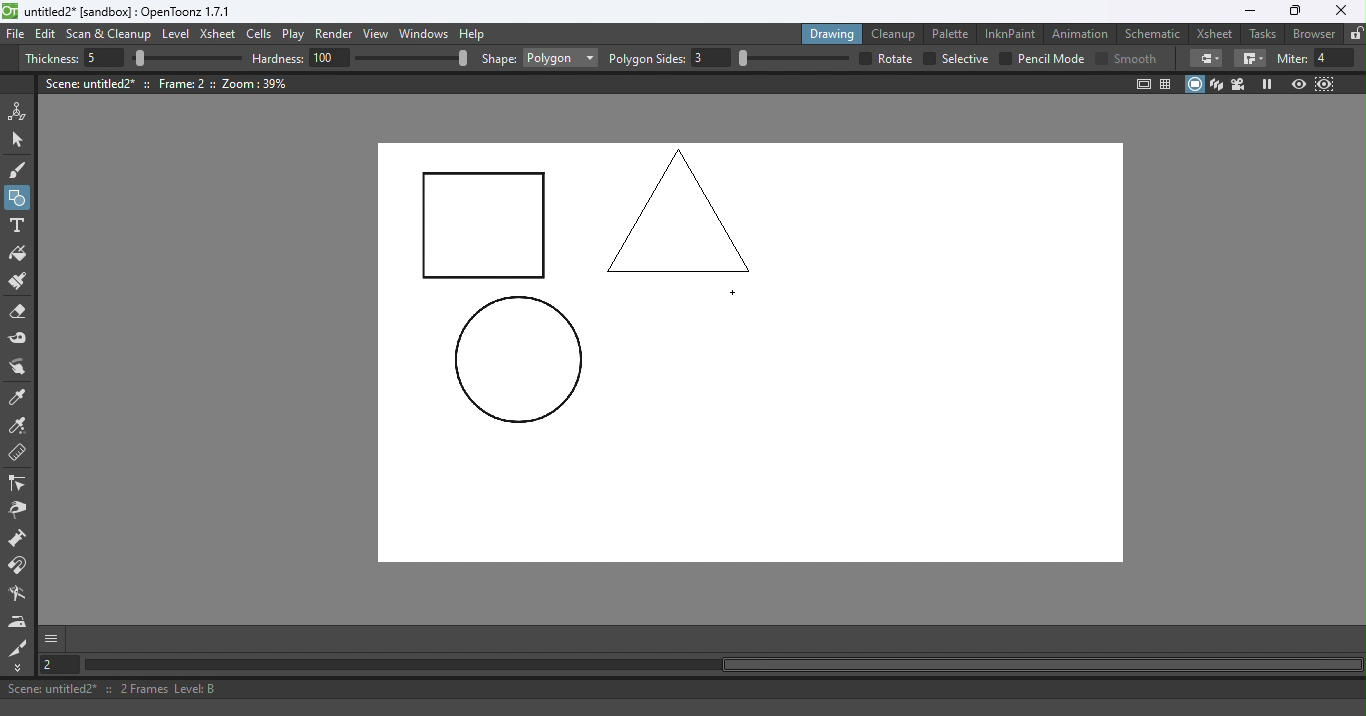 The height and width of the screenshot is (716, 1366). I want to click on Geometric tool, so click(19, 198).